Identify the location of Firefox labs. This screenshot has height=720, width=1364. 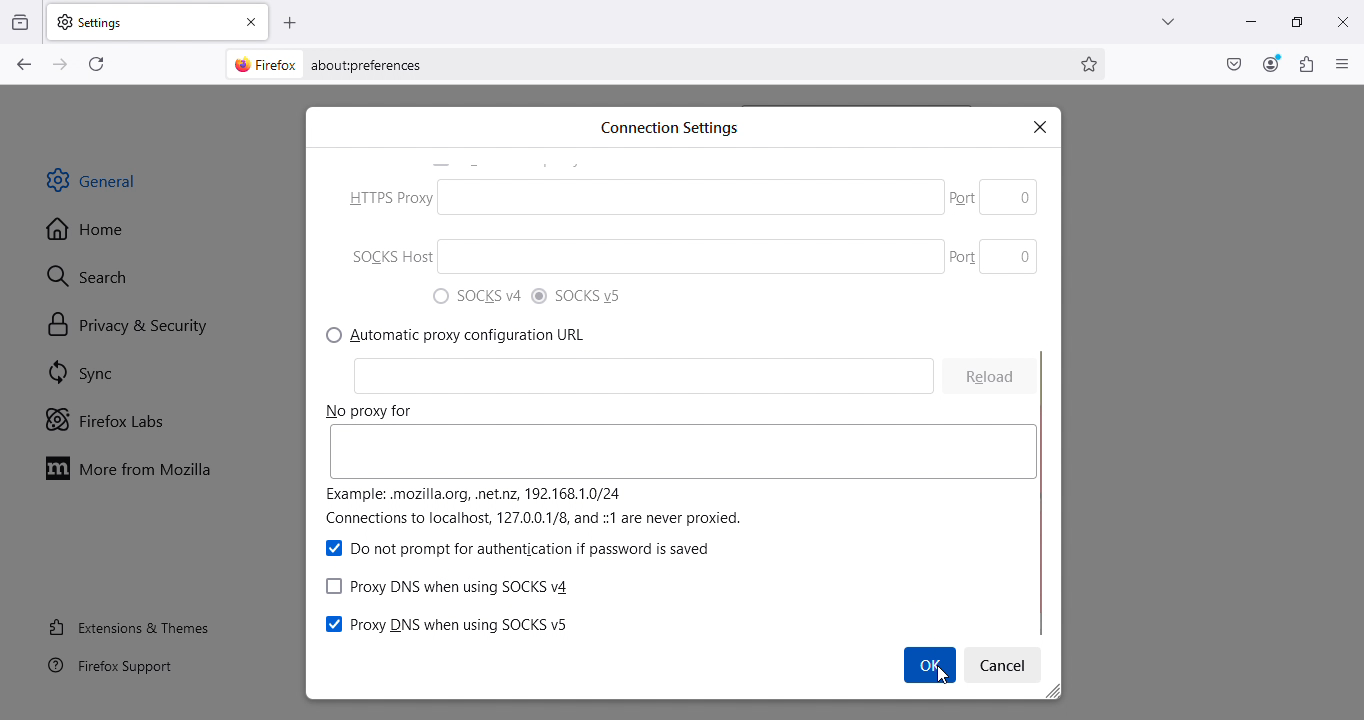
(108, 421).